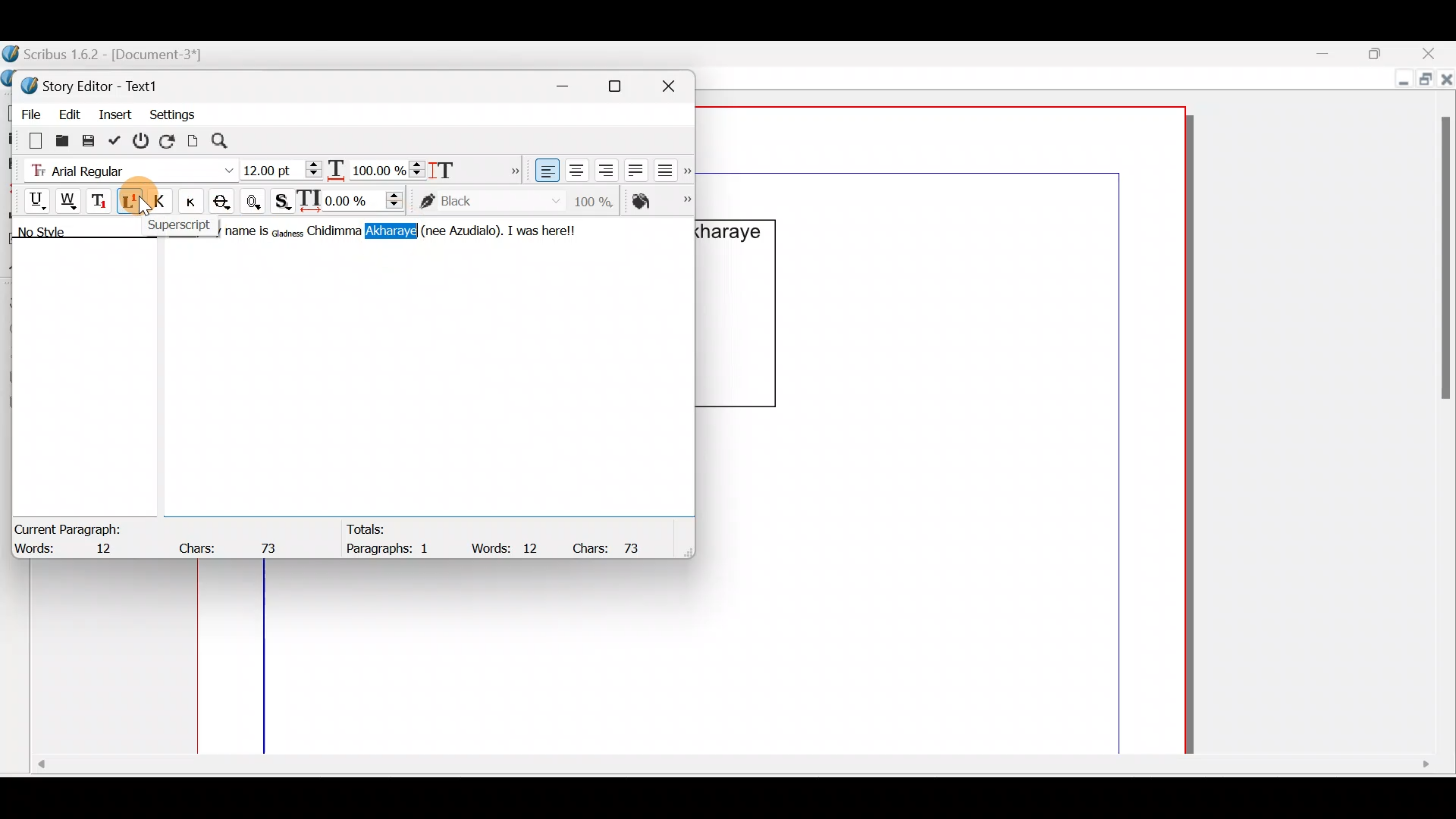  Describe the element at coordinates (28, 140) in the screenshot. I see `Clear all text` at that location.